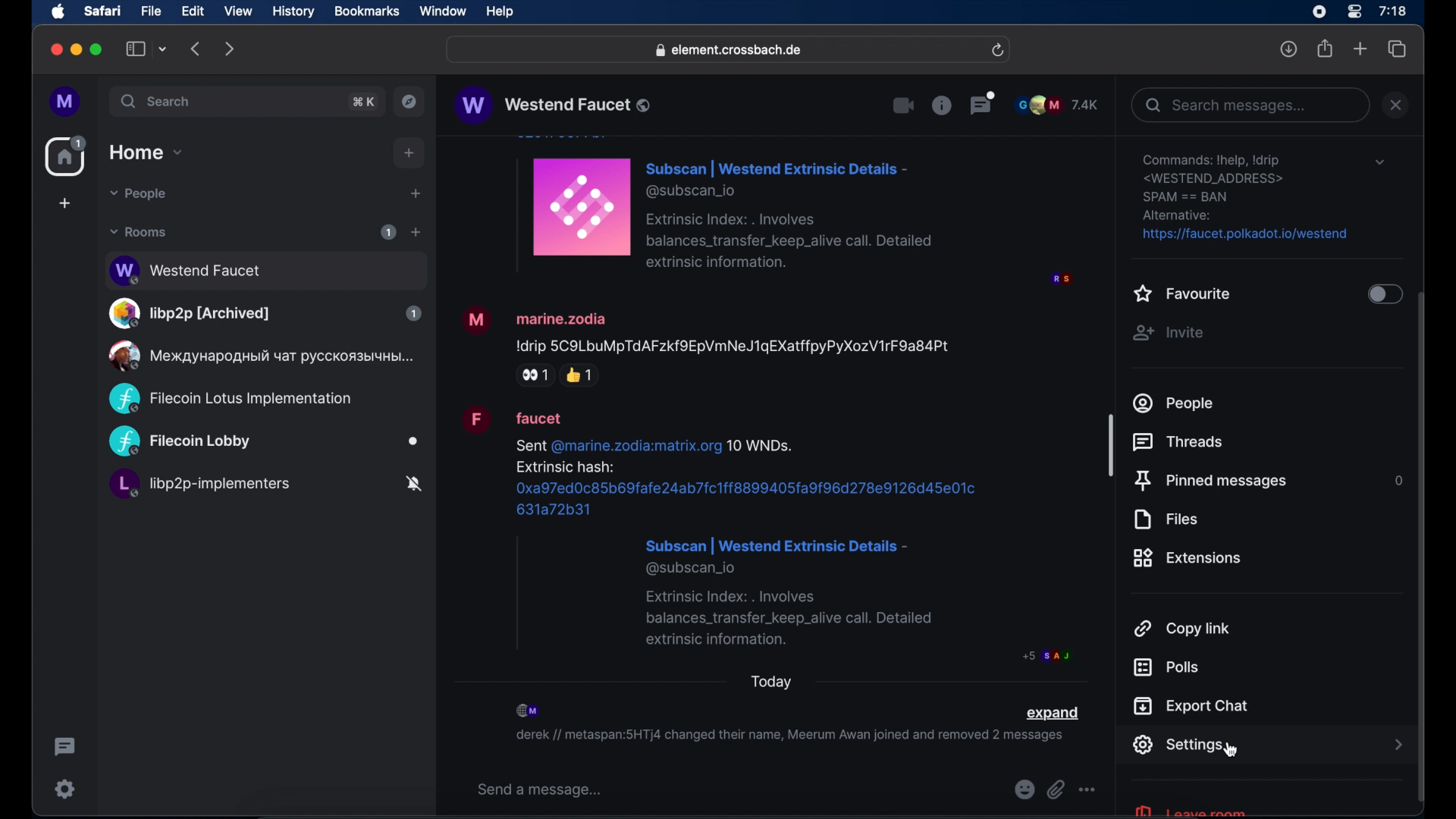 The image size is (1456, 819). I want to click on today, so click(772, 682).